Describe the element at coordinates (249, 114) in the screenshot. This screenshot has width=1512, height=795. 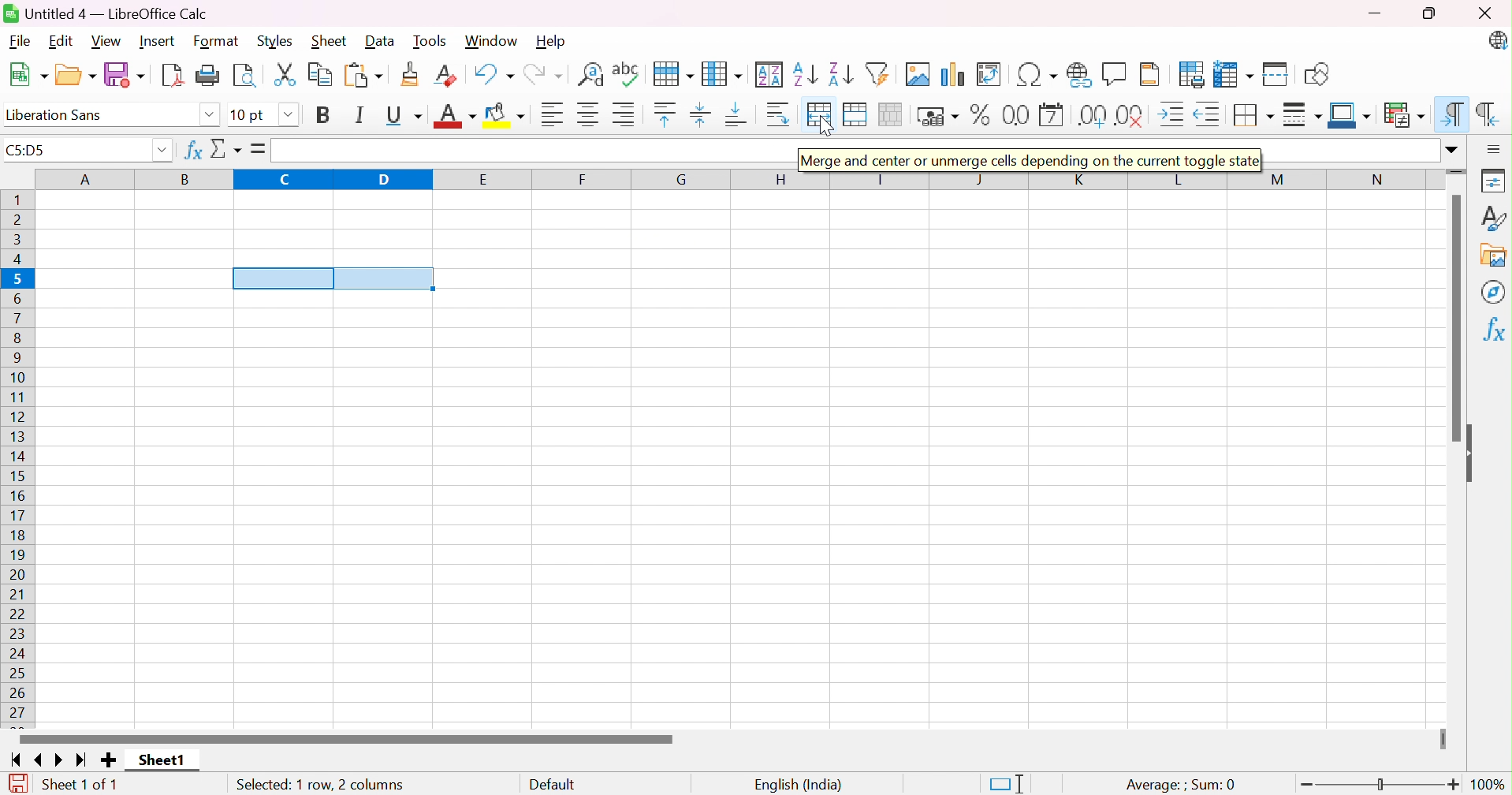
I see `10 pt` at that location.